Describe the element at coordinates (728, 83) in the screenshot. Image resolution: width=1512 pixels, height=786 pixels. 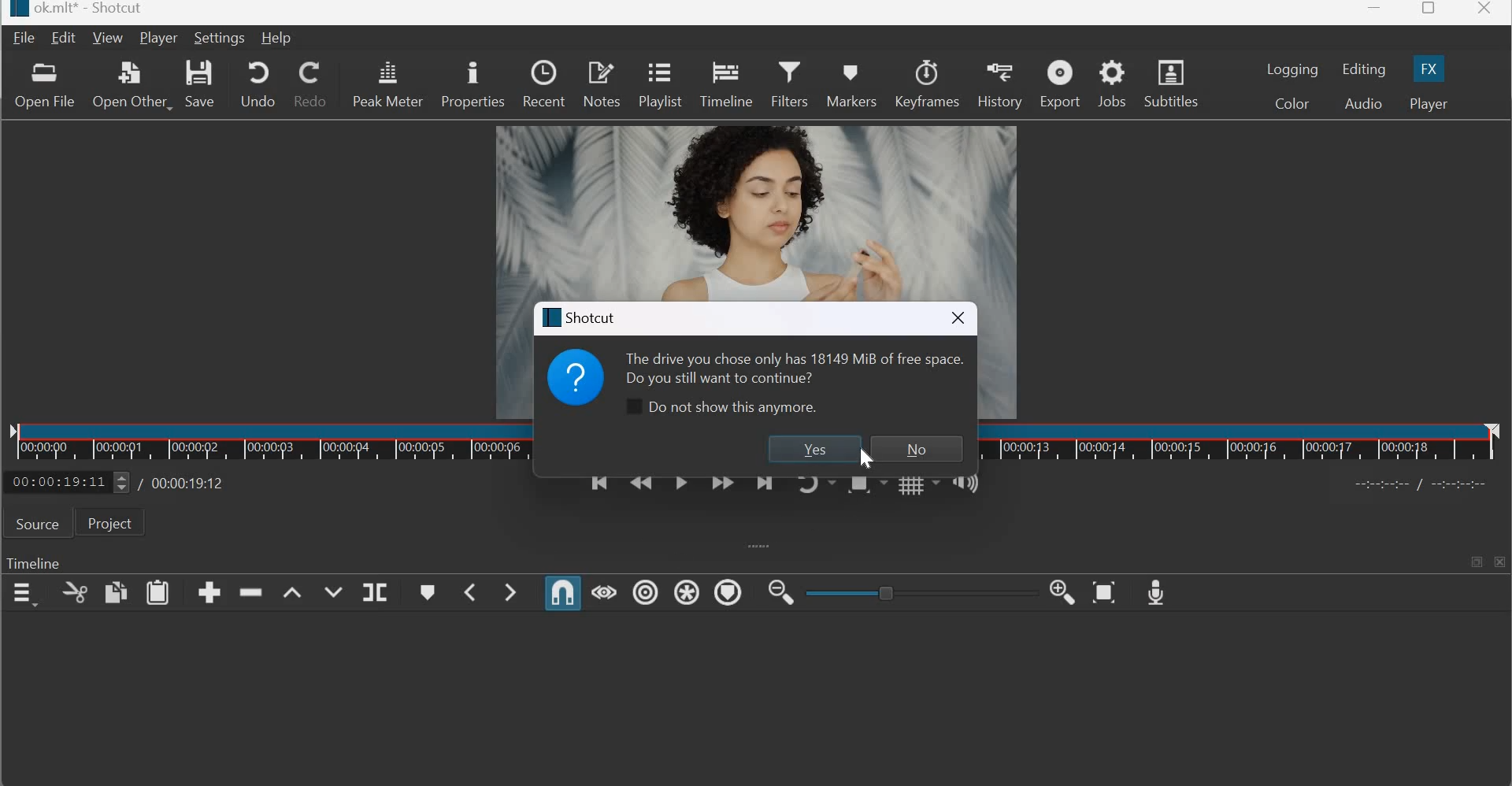
I see `Timeline` at that location.